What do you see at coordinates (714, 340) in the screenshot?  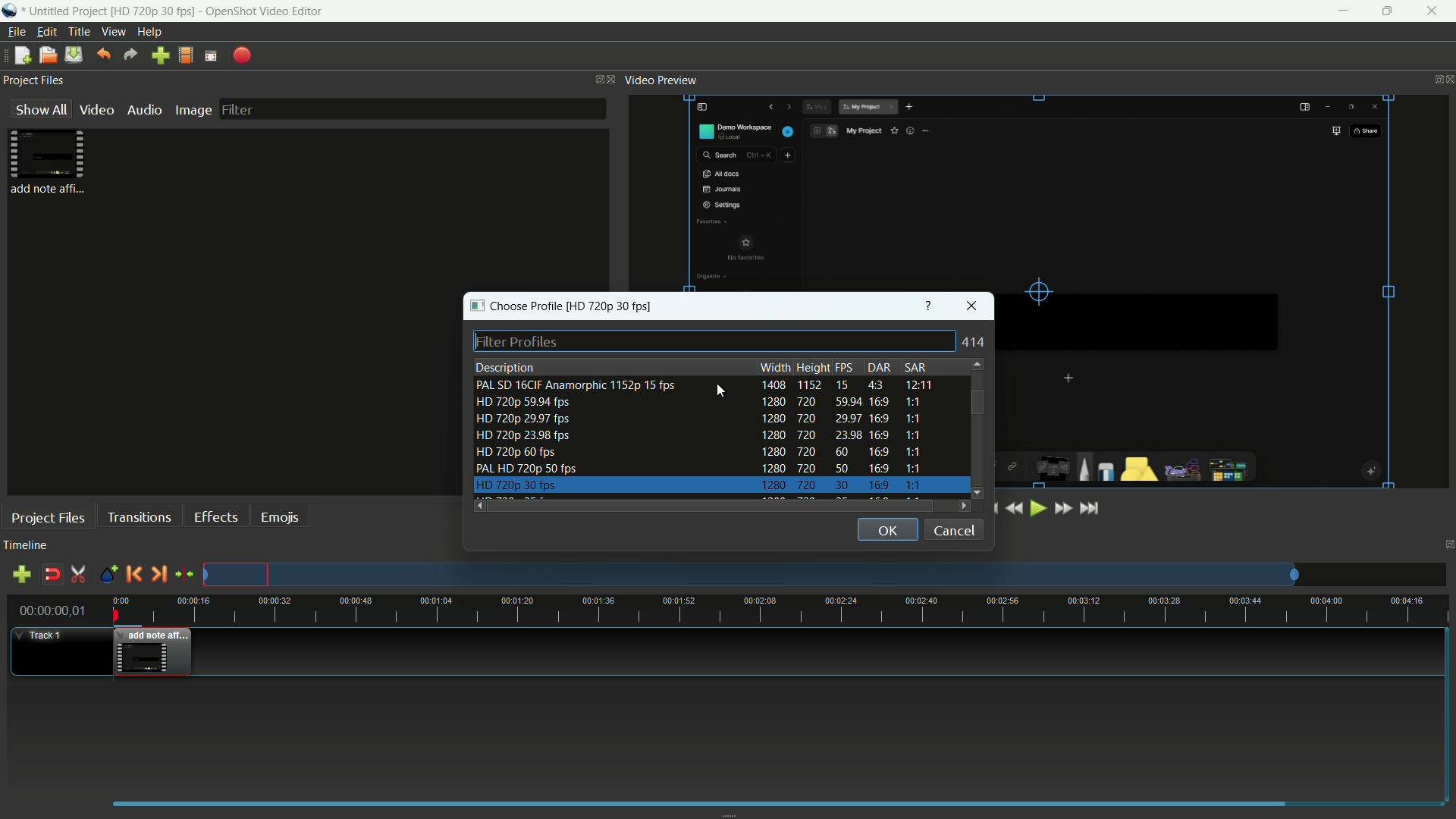 I see `filter profile` at bounding box center [714, 340].